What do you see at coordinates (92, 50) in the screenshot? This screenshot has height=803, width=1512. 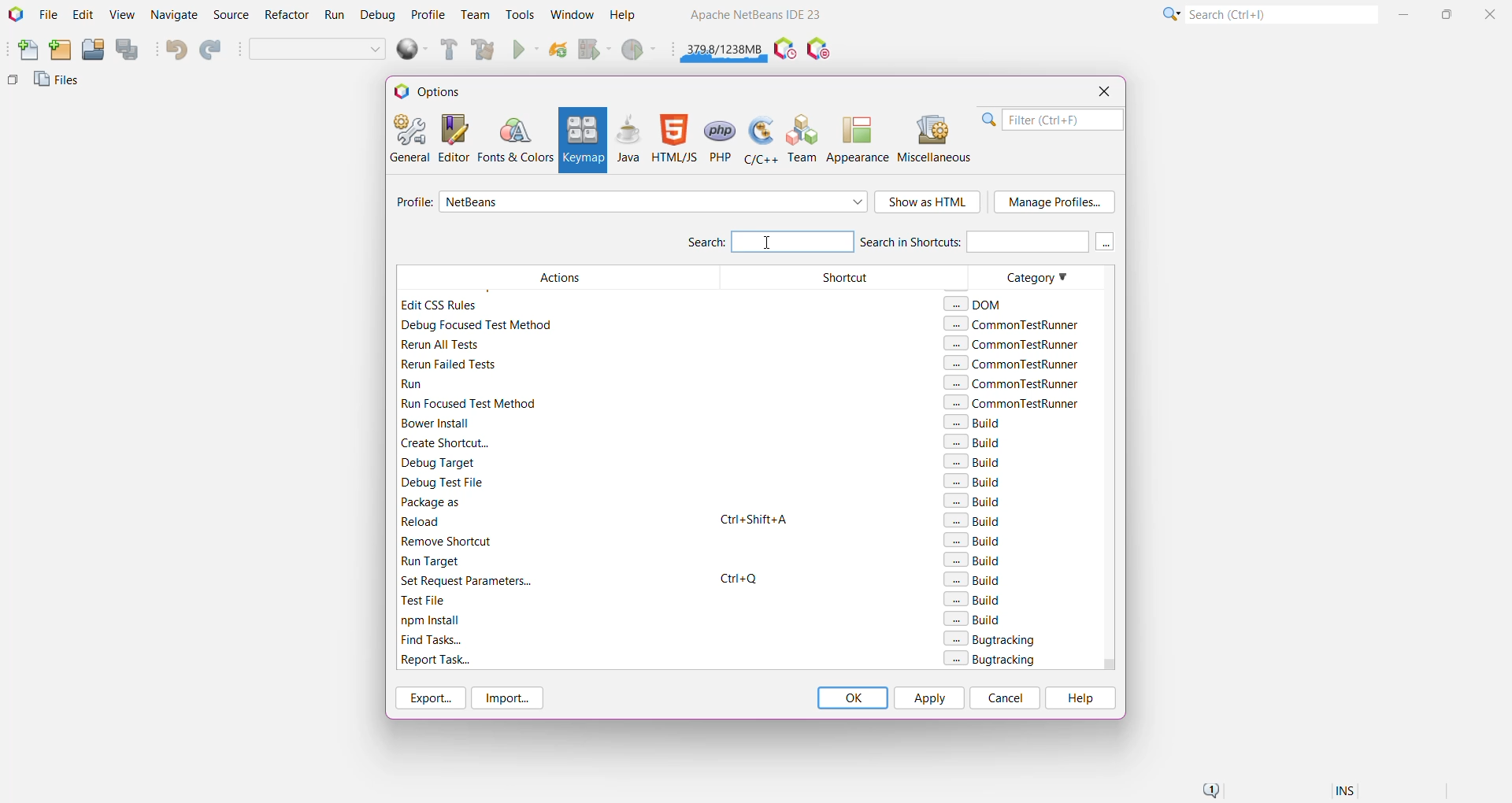 I see `Open Project` at bounding box center [92, 50].